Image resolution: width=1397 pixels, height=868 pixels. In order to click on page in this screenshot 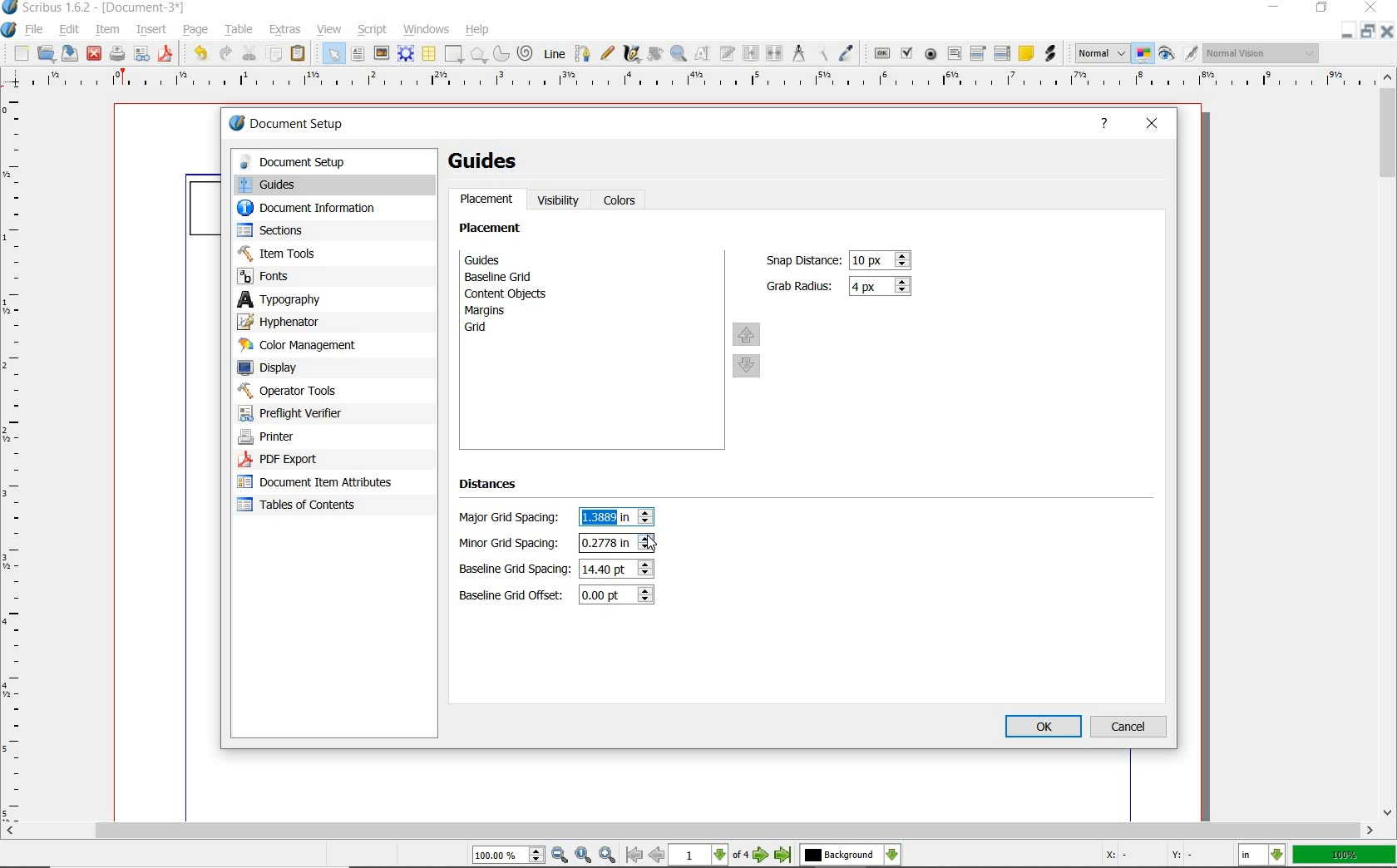, I will do `click(195, 31)`.